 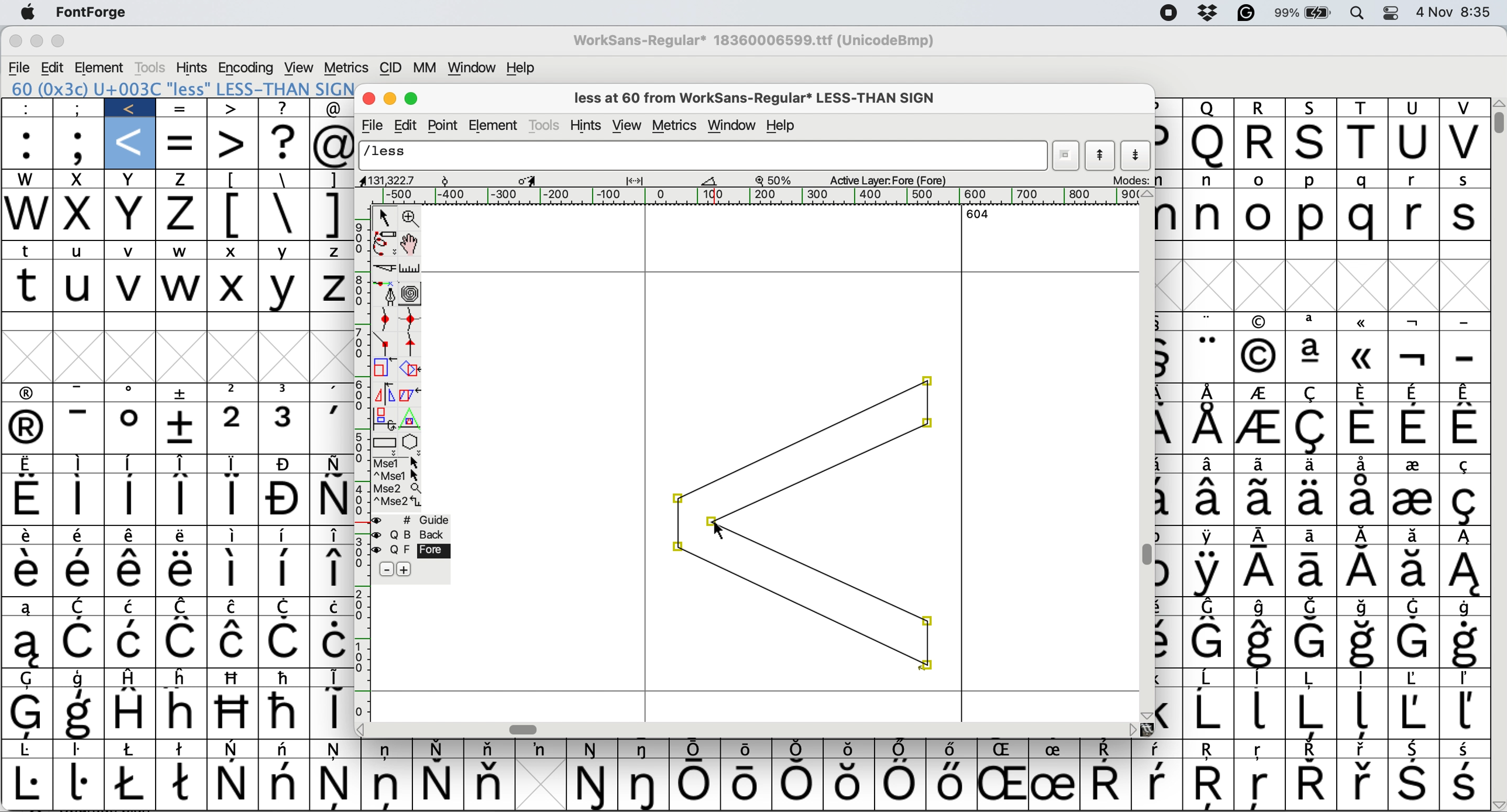 I want to click on Symbol, so click(x=1156, y=785).